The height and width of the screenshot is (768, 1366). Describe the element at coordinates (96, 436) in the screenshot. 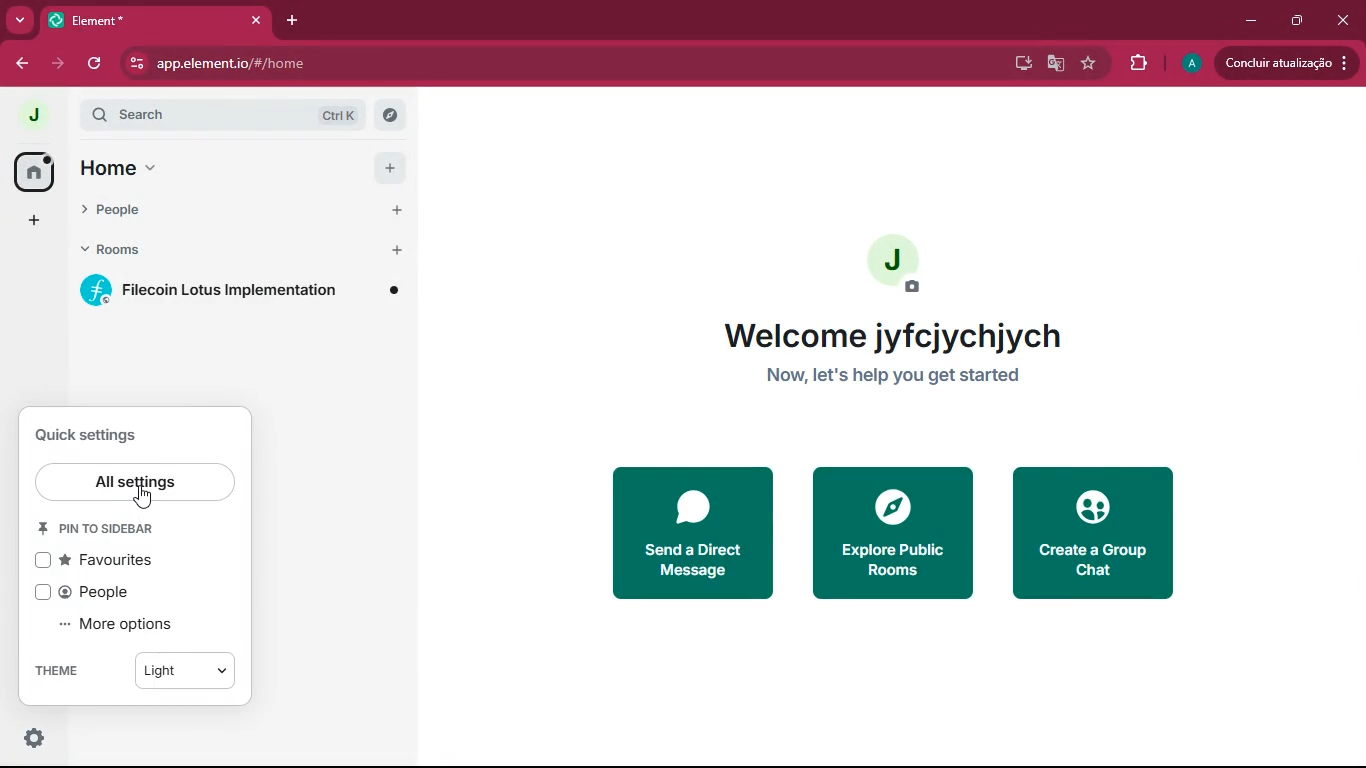

I see `quick settings` at that location.